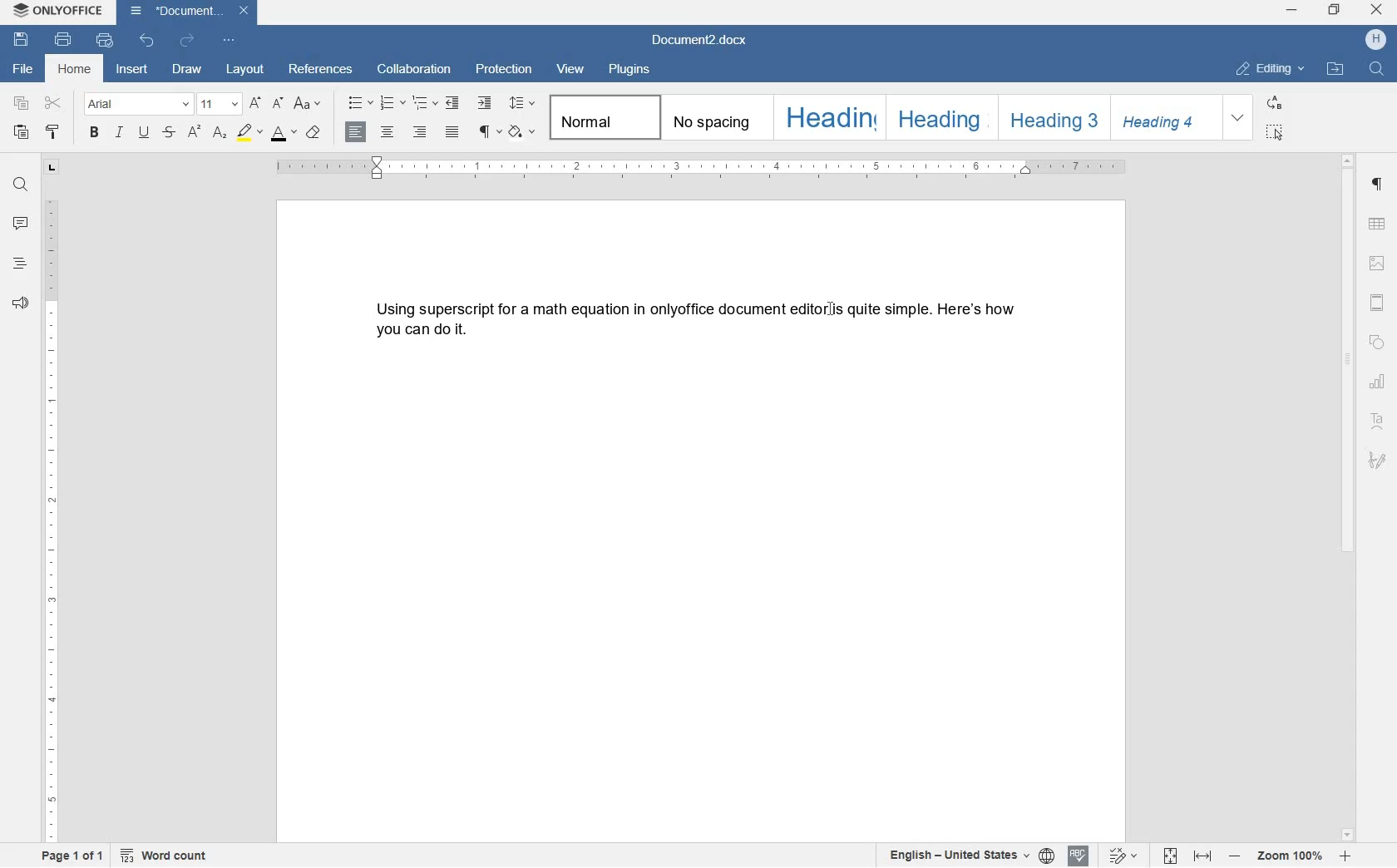  Describe the element at coordinates (195, 132) in the screenshot. I see `superscript` at that location.